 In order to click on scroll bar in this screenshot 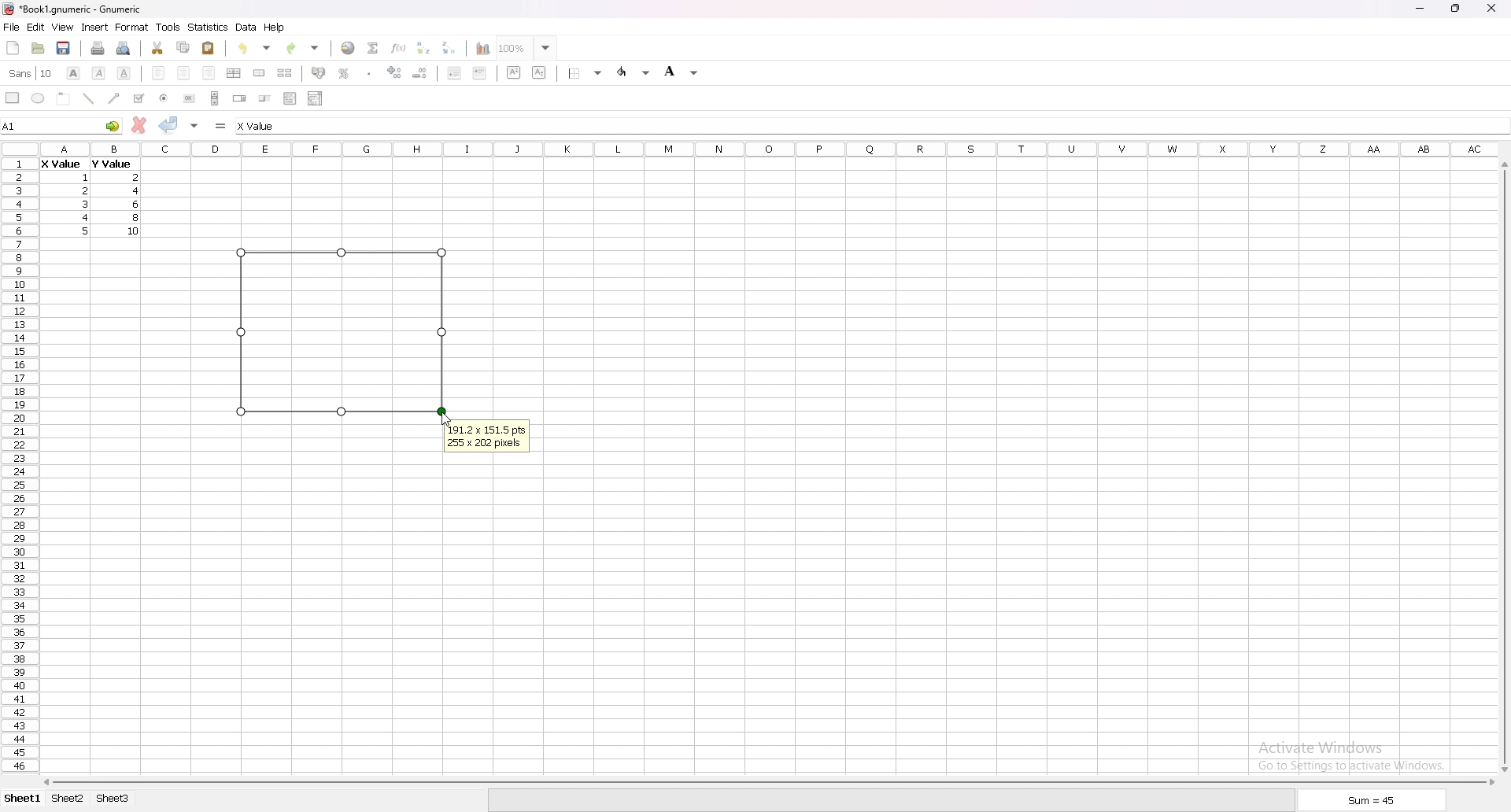, I will do `click(1502, 467)`.